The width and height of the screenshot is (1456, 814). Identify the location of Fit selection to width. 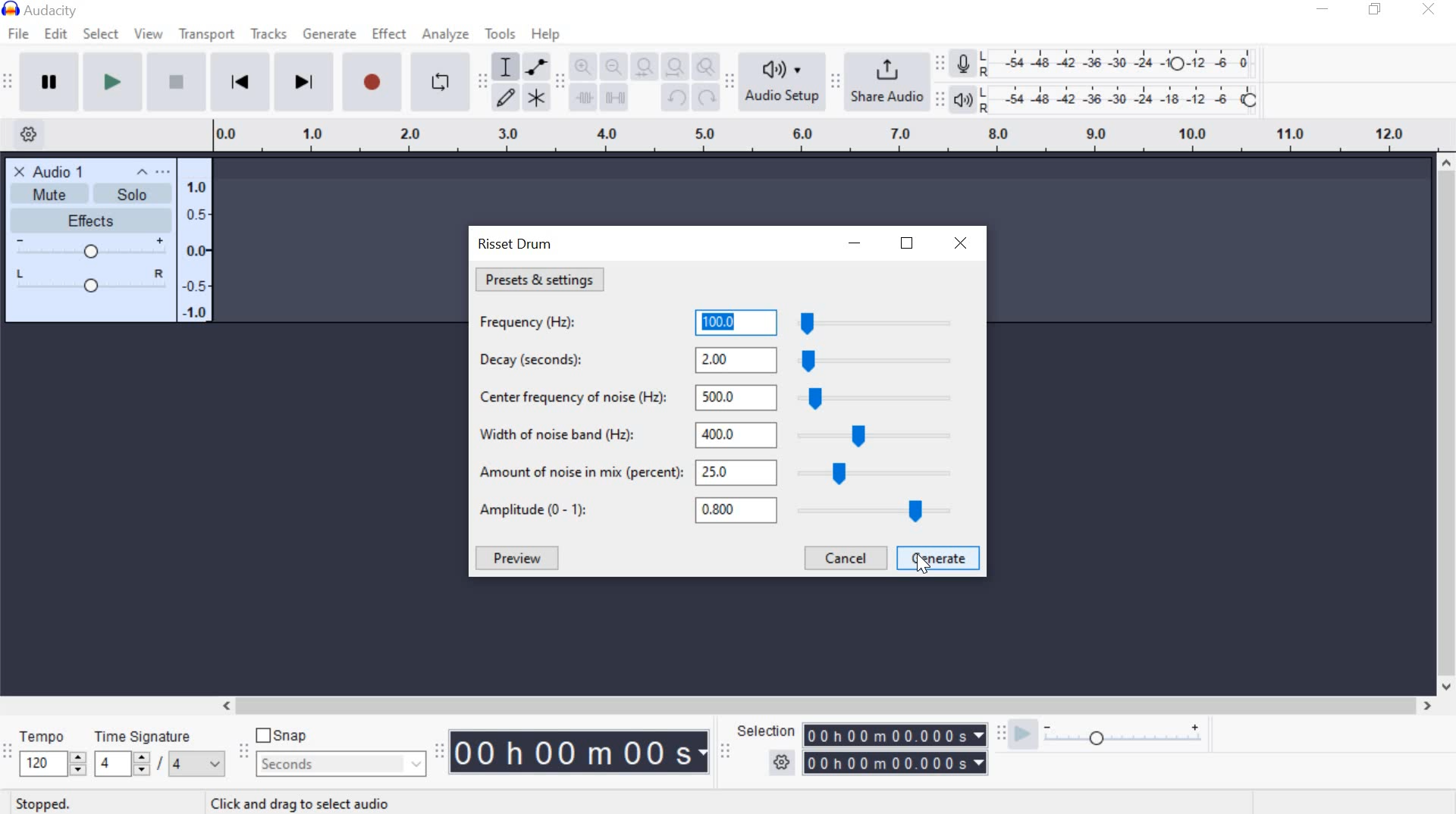
(641, 65).